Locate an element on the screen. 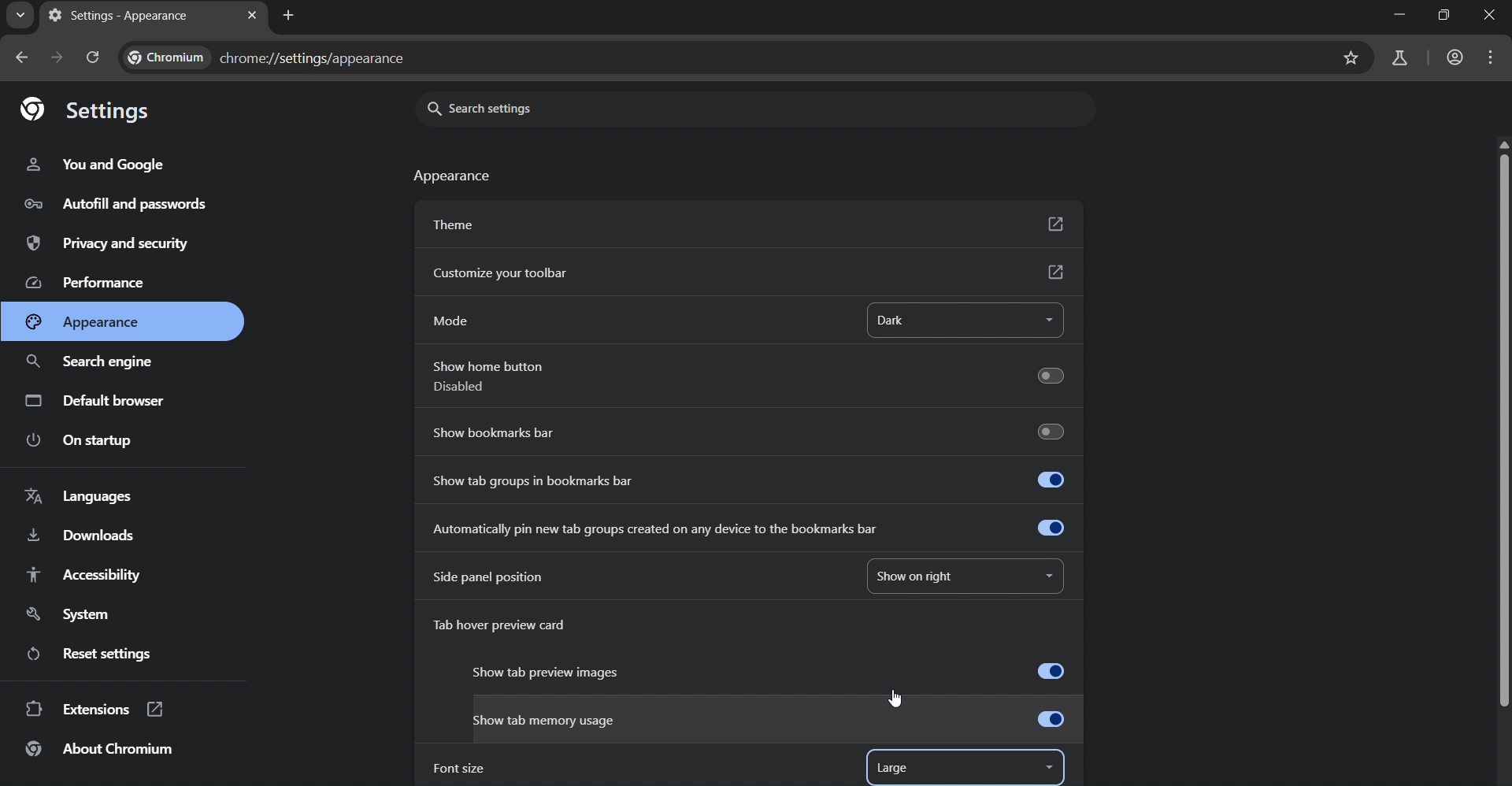 The width and height of the screenshot is (1512, 786). go back one page is located at coordinates (18, 58).